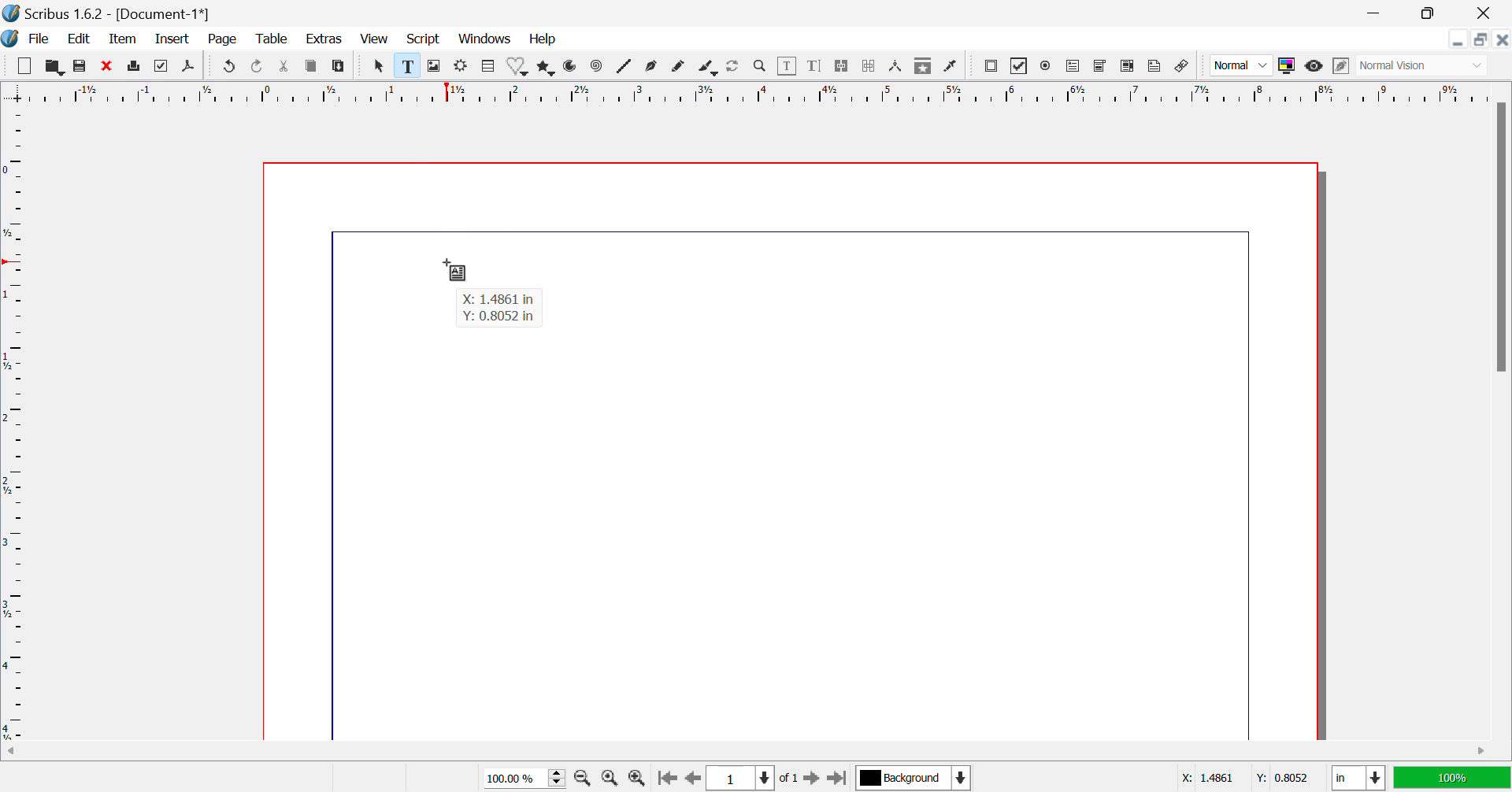 This screenshot has height=792, width=1512. I want to click on Freehand Line, so click(679, 69).